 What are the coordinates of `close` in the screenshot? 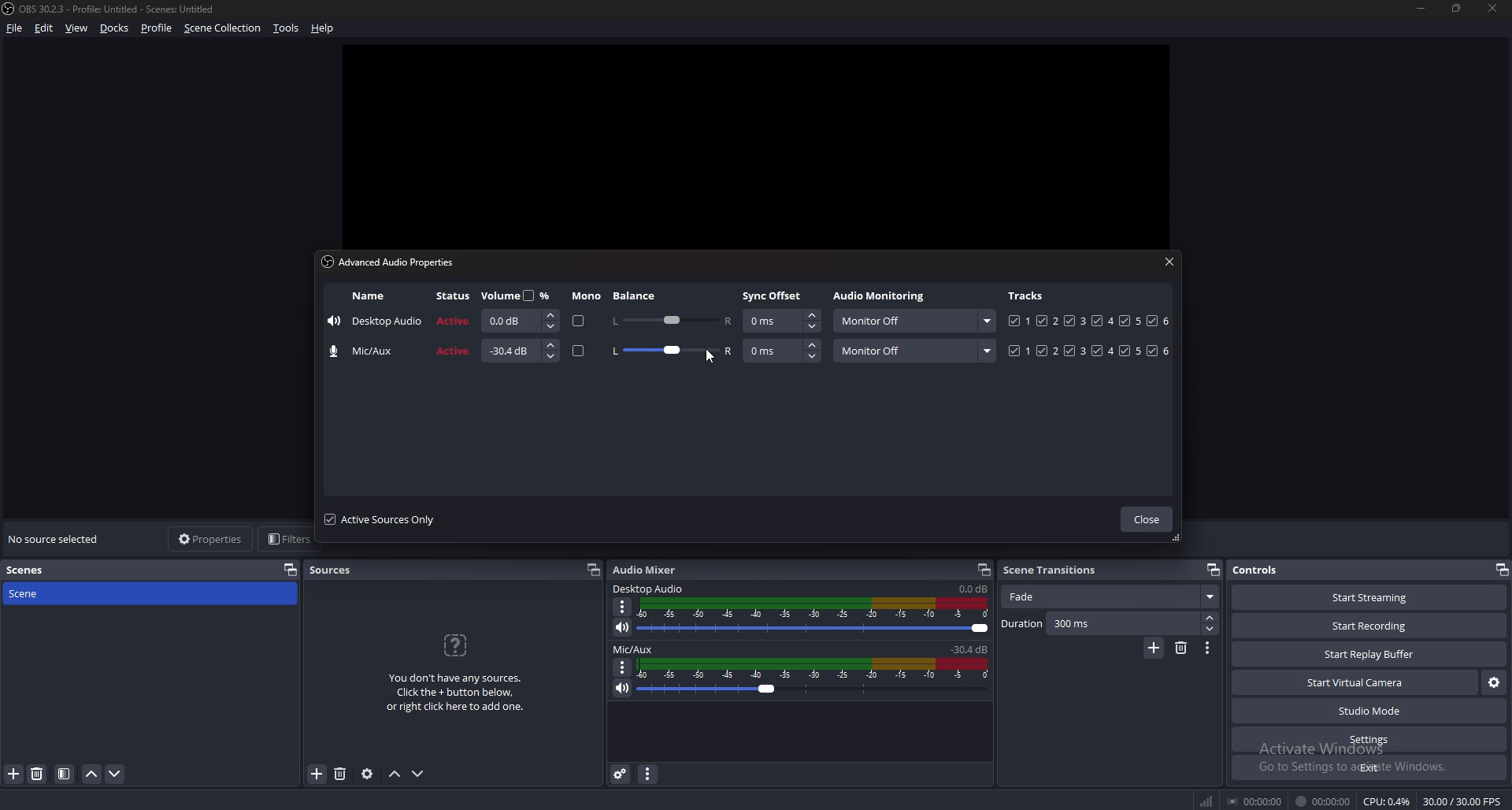 It's located at (1495, 9).